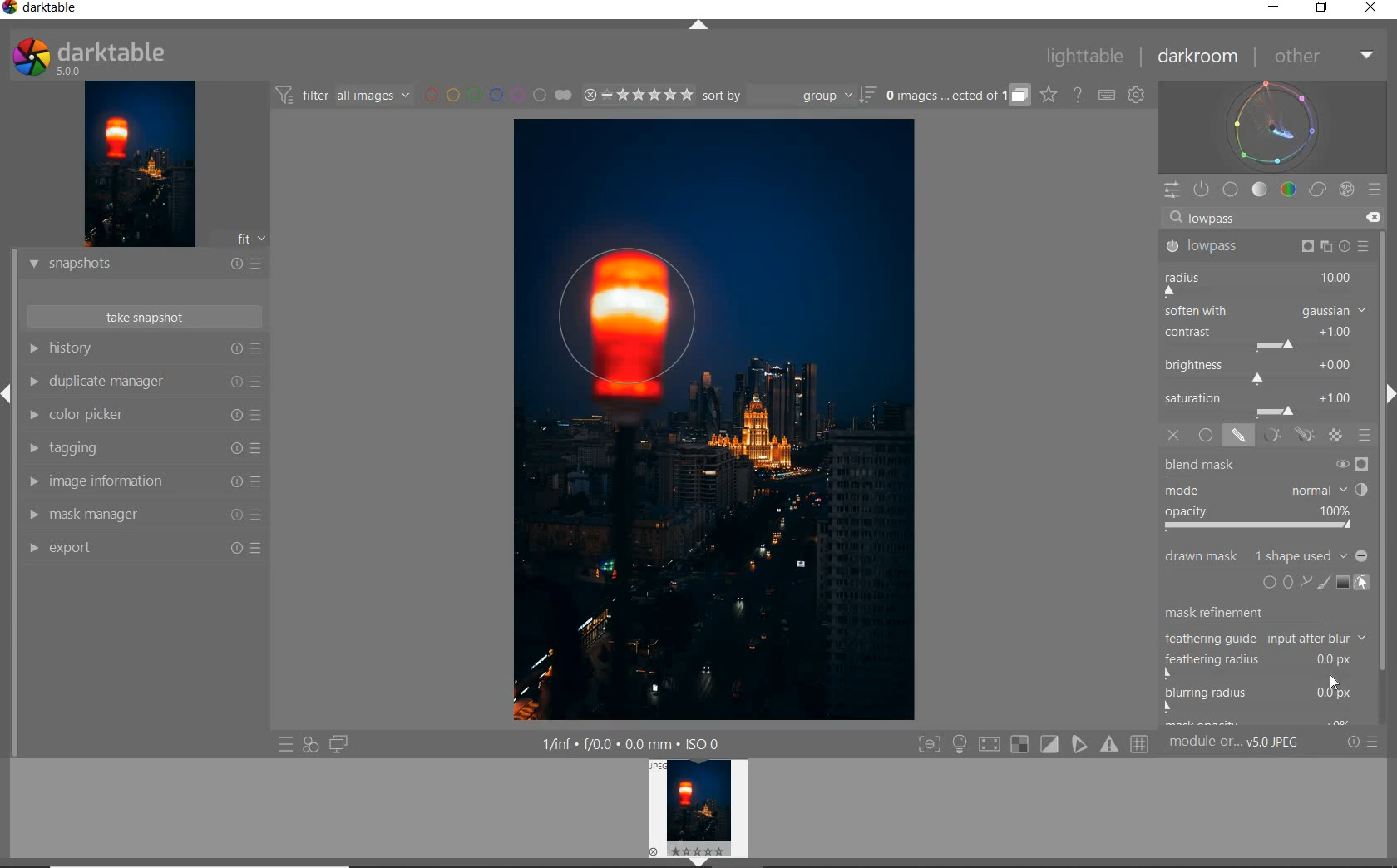 This screenshot has height=868, width=1397. I want to click on IMAGE PREVIEW, so click(701, 813).